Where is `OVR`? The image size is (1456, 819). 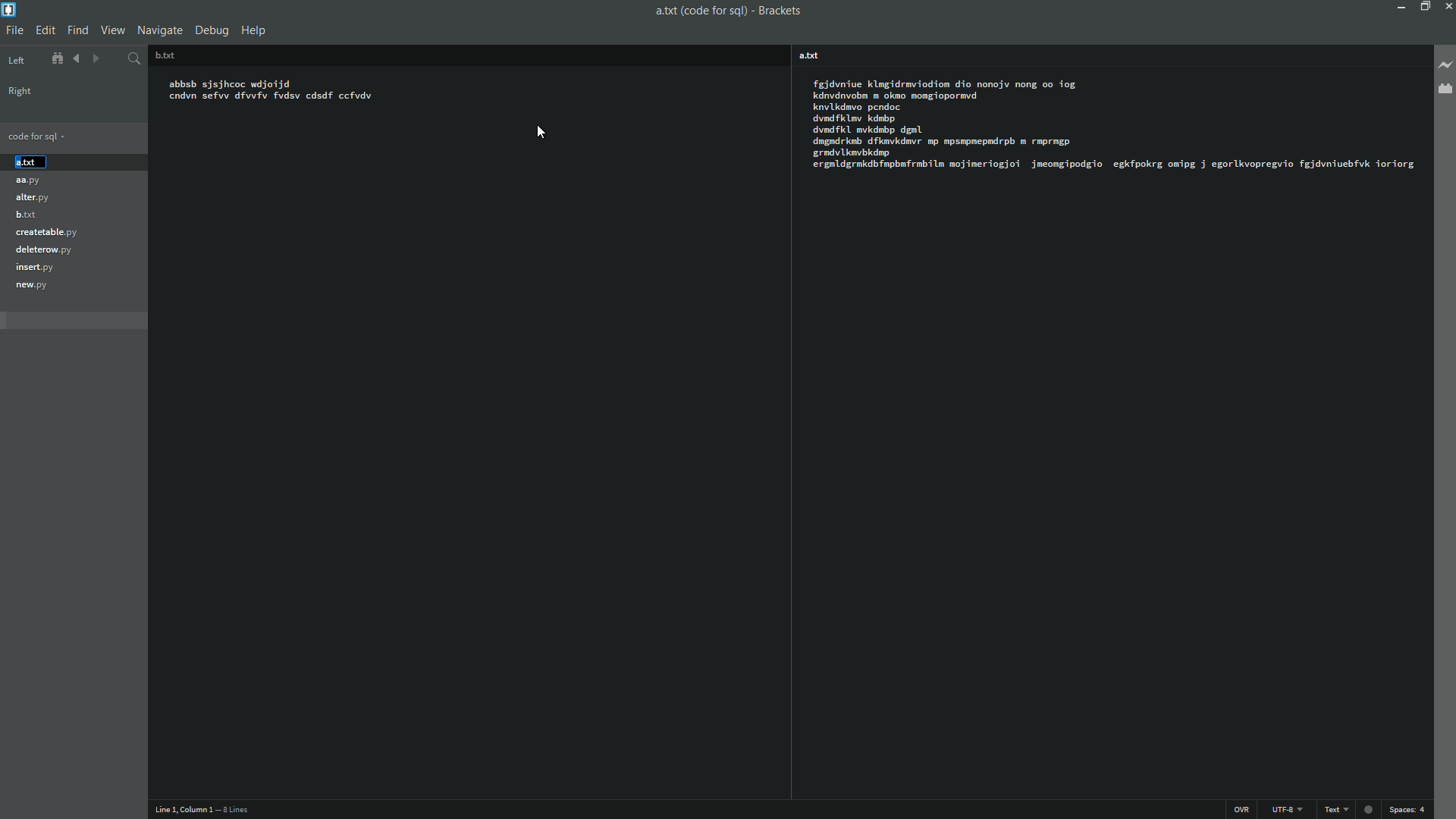
OVR is located at coordinates (1241, 808).